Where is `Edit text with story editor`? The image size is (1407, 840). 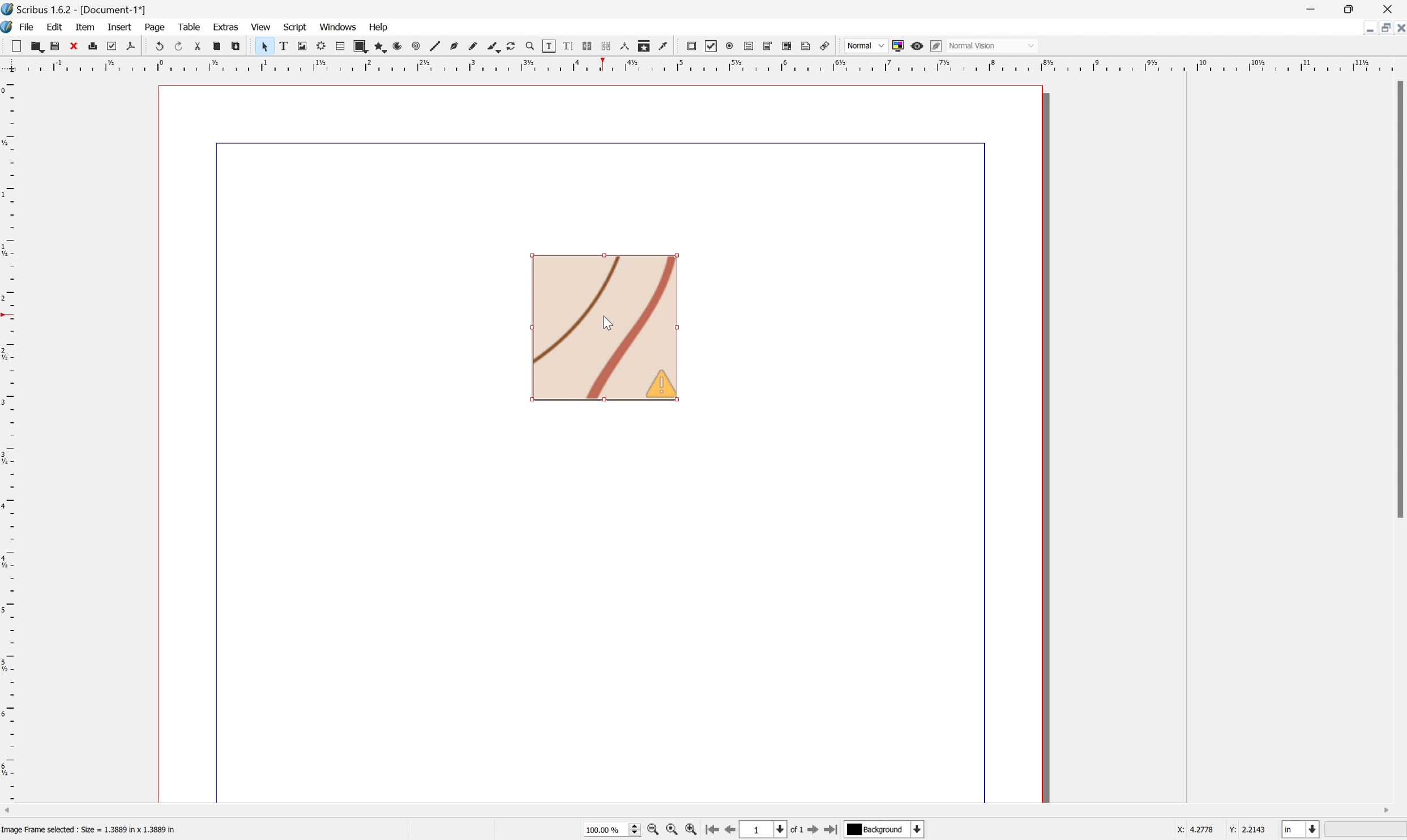 Edit text with story editor is located at coordinates (568, 46).